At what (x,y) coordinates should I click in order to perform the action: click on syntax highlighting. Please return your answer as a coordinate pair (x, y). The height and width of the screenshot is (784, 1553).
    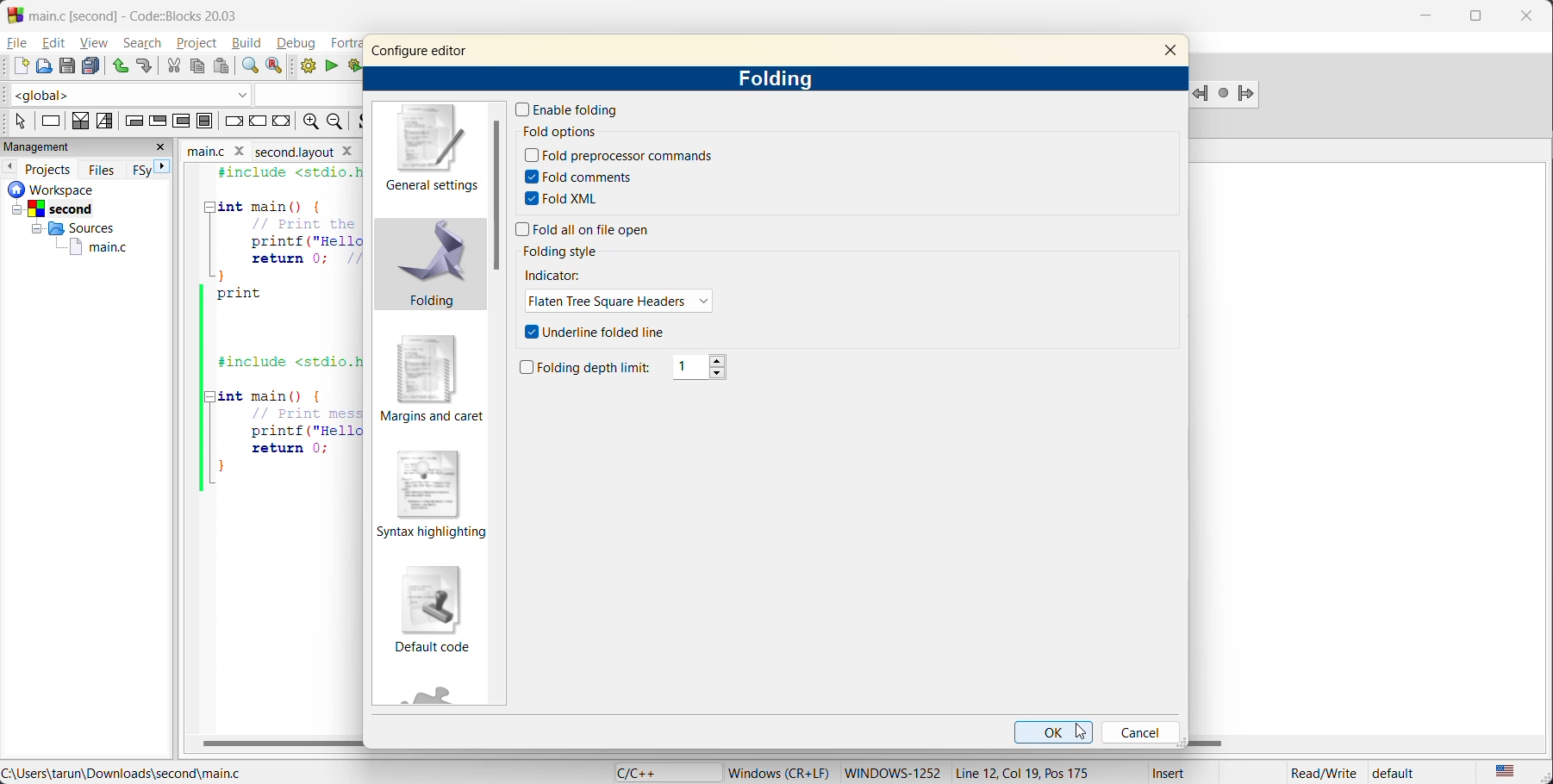
    Looking at the image, I should click on (432, 497).